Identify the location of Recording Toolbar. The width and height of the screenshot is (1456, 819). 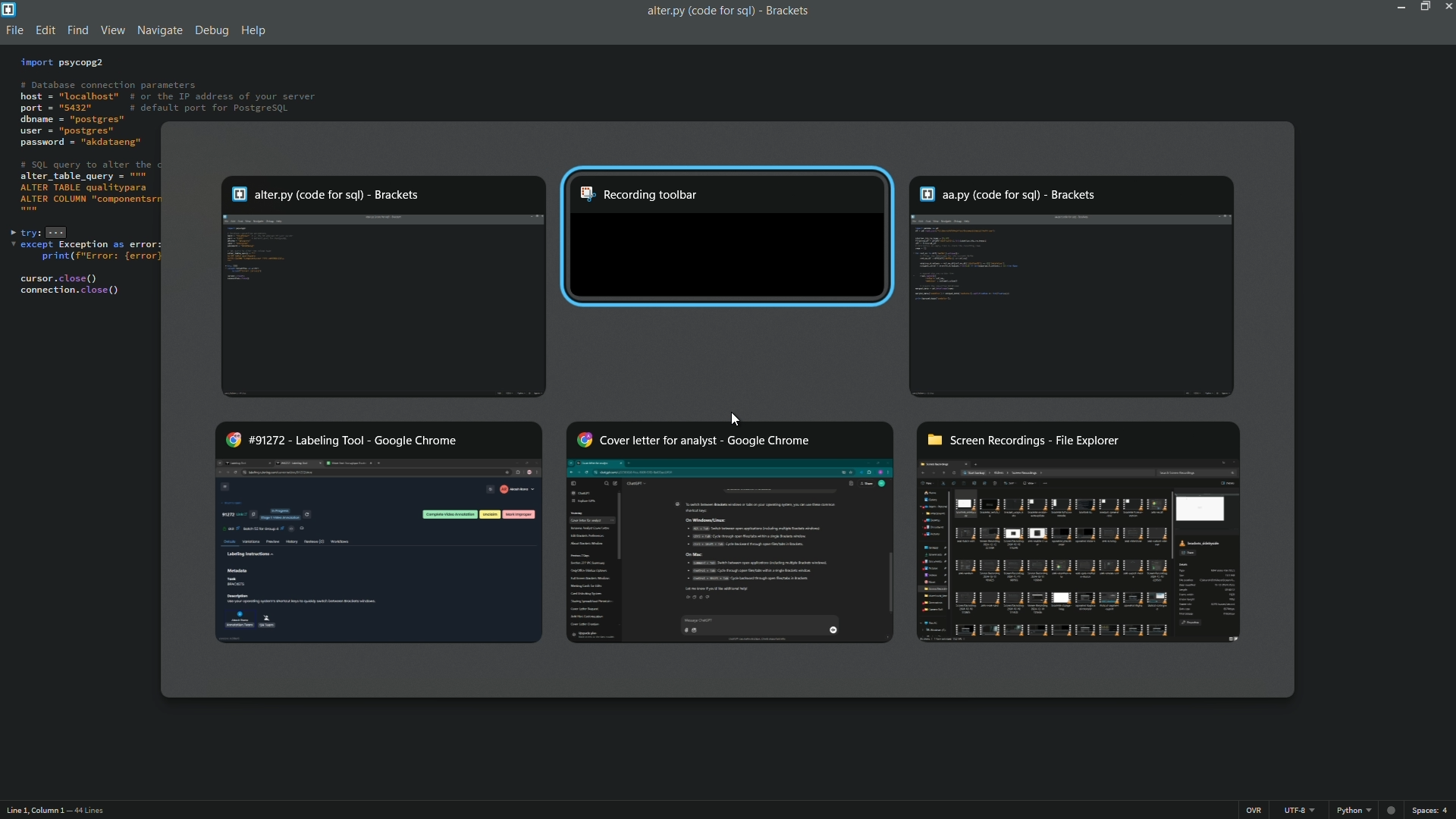
(726, 240).